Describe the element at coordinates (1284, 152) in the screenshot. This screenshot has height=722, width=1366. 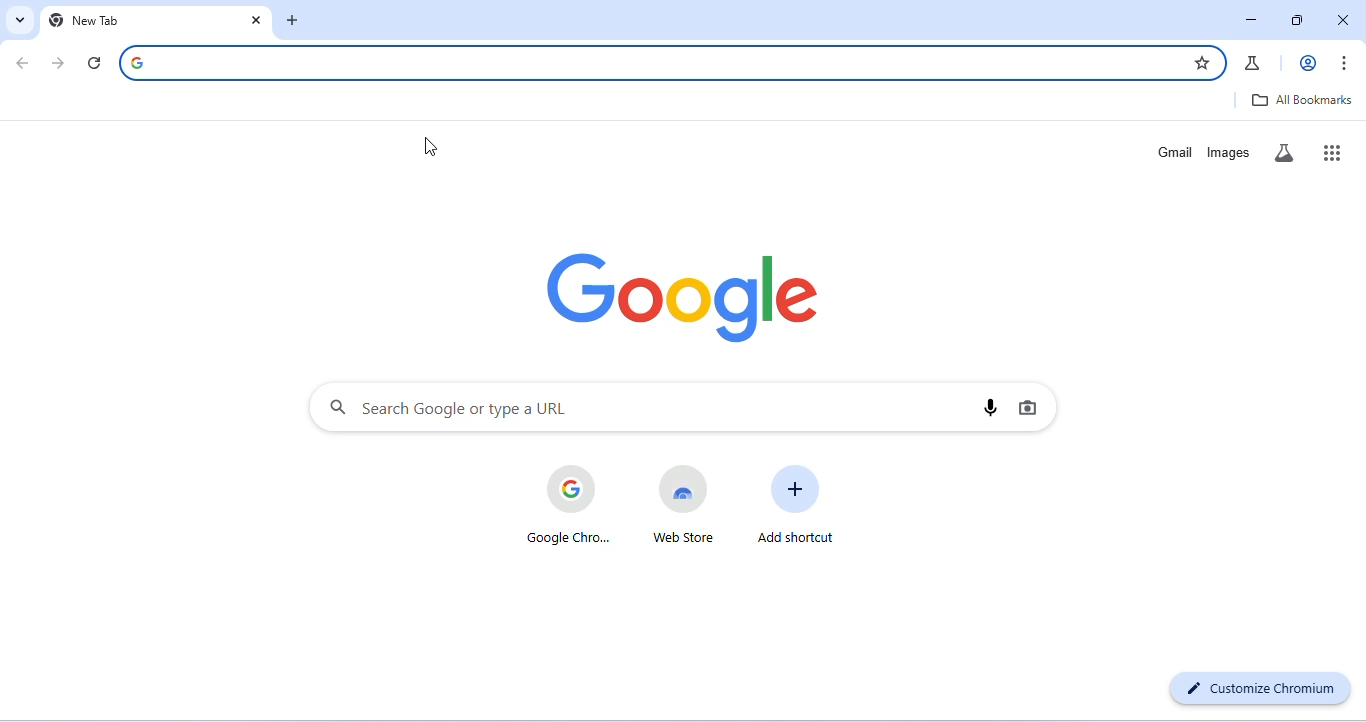
I see `search labs` at that location.